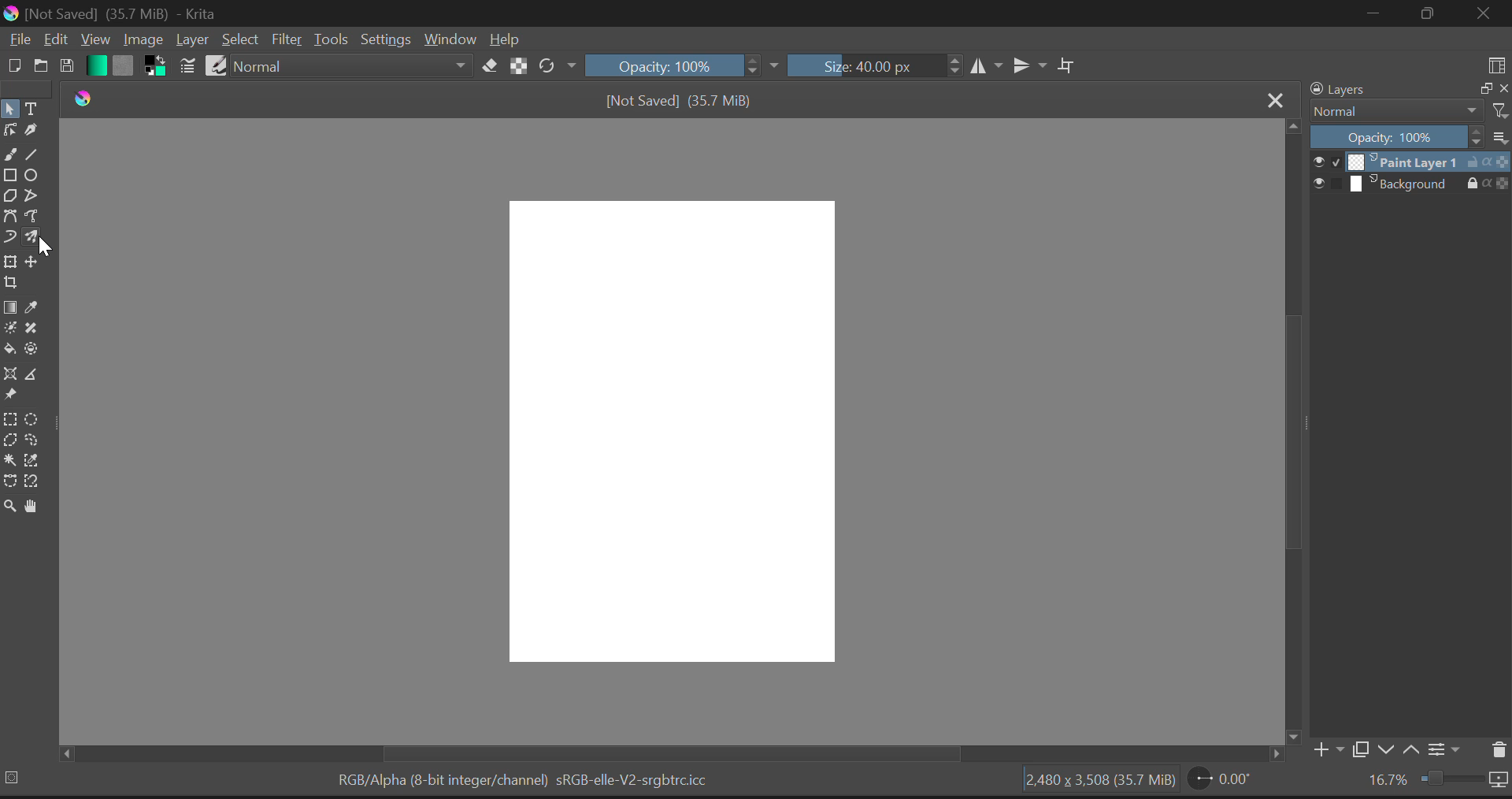 Image resolution: width=1512 pixels, height=799 pixels. What do you see at coordinates (10, 440) in the screenshot?
I see `Polygon Selection` at bounding box center [10, 440].